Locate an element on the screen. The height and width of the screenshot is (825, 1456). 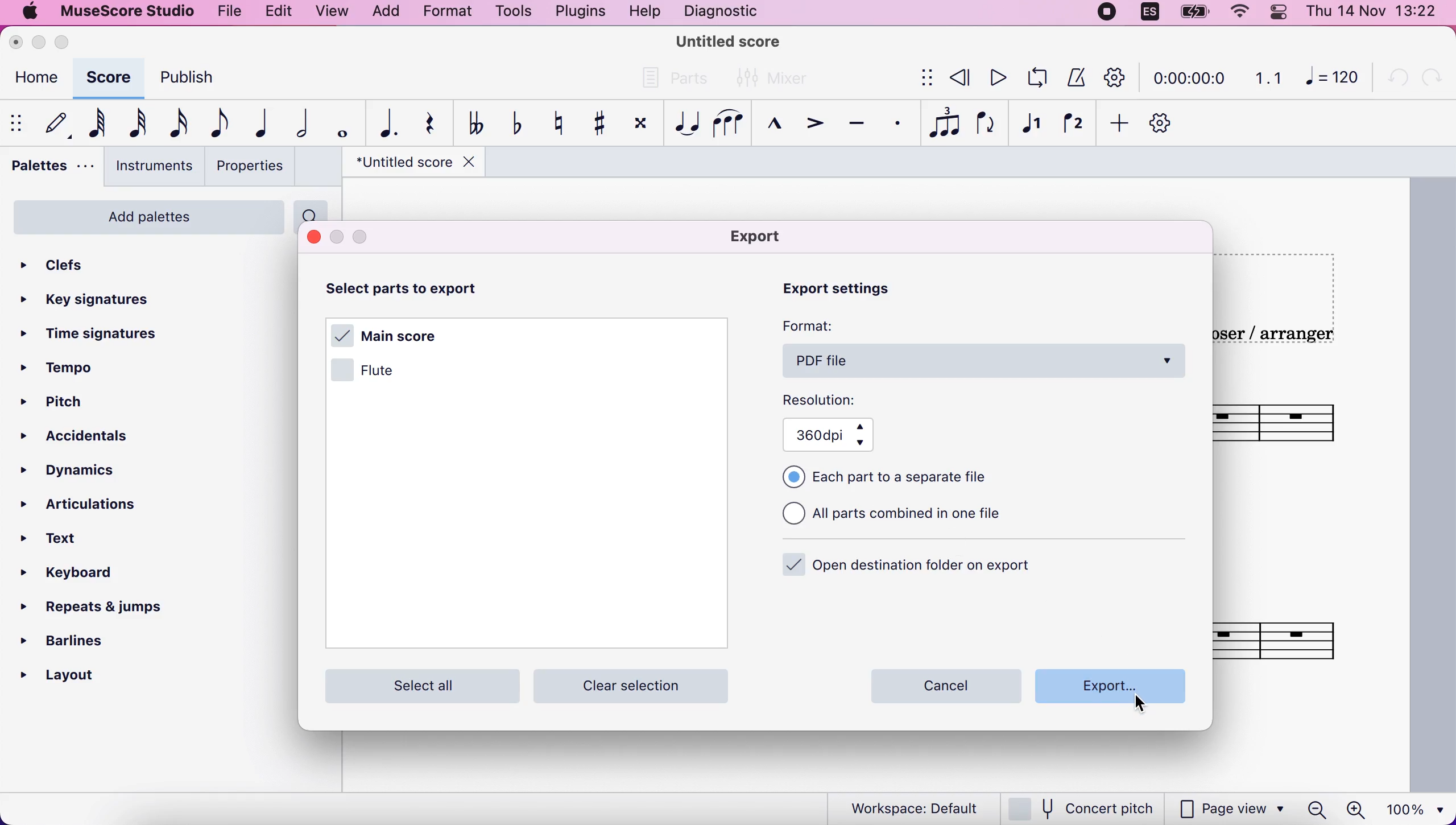
100% is located at coordinates (1418, 808).